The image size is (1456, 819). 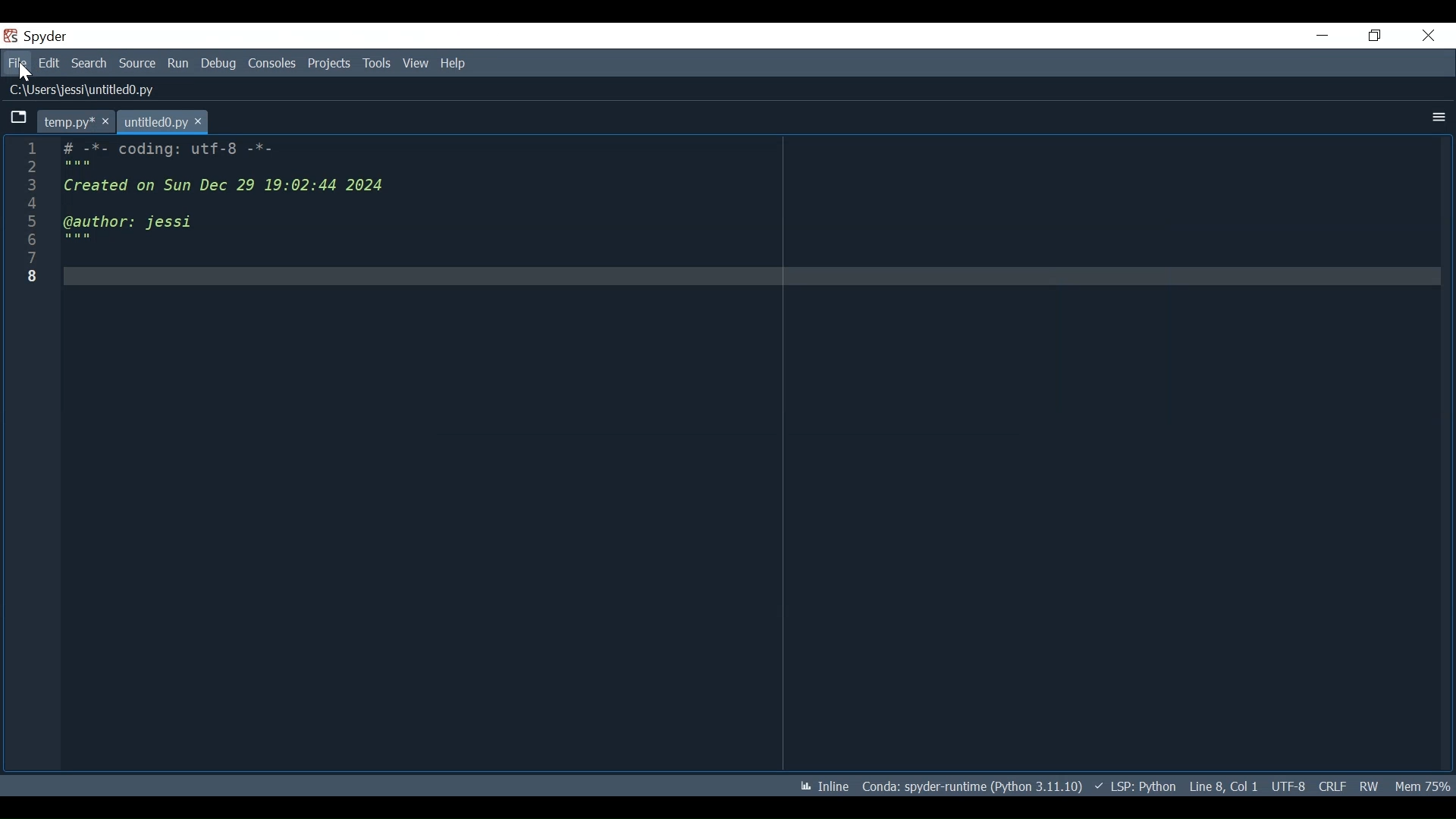 What do you see at coordinates (1131, 786) in the screenshot?
I see `Language` at bounding box center [1131, 786].